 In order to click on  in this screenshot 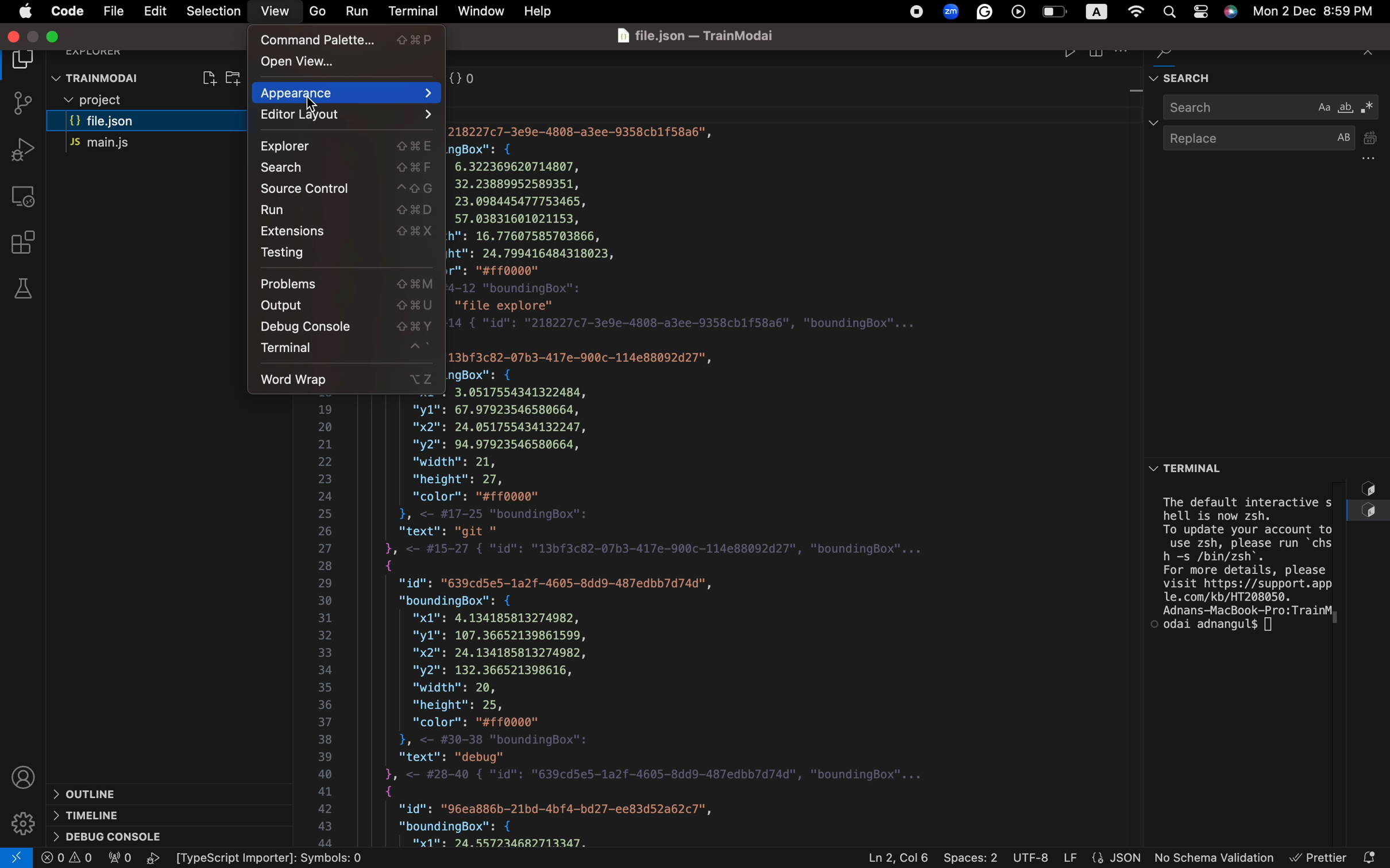, I will do `click(154, 12)`.